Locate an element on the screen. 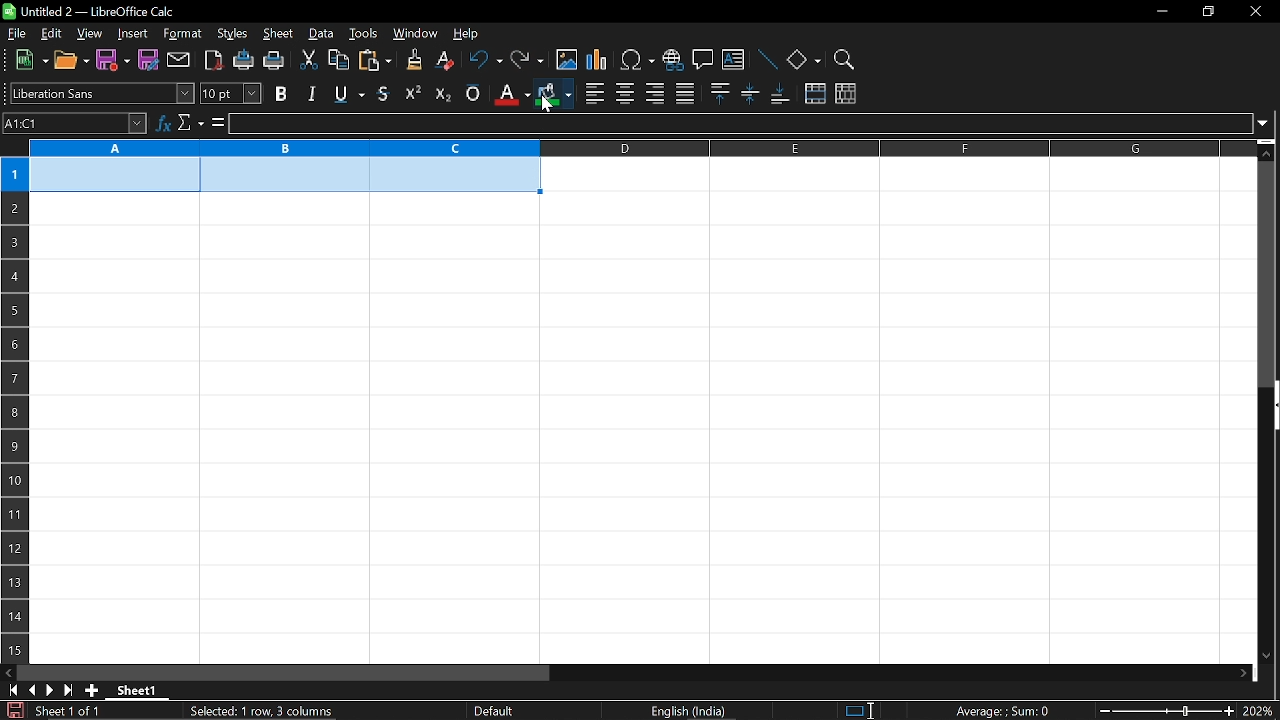  center is located at coordinates (625, 93).